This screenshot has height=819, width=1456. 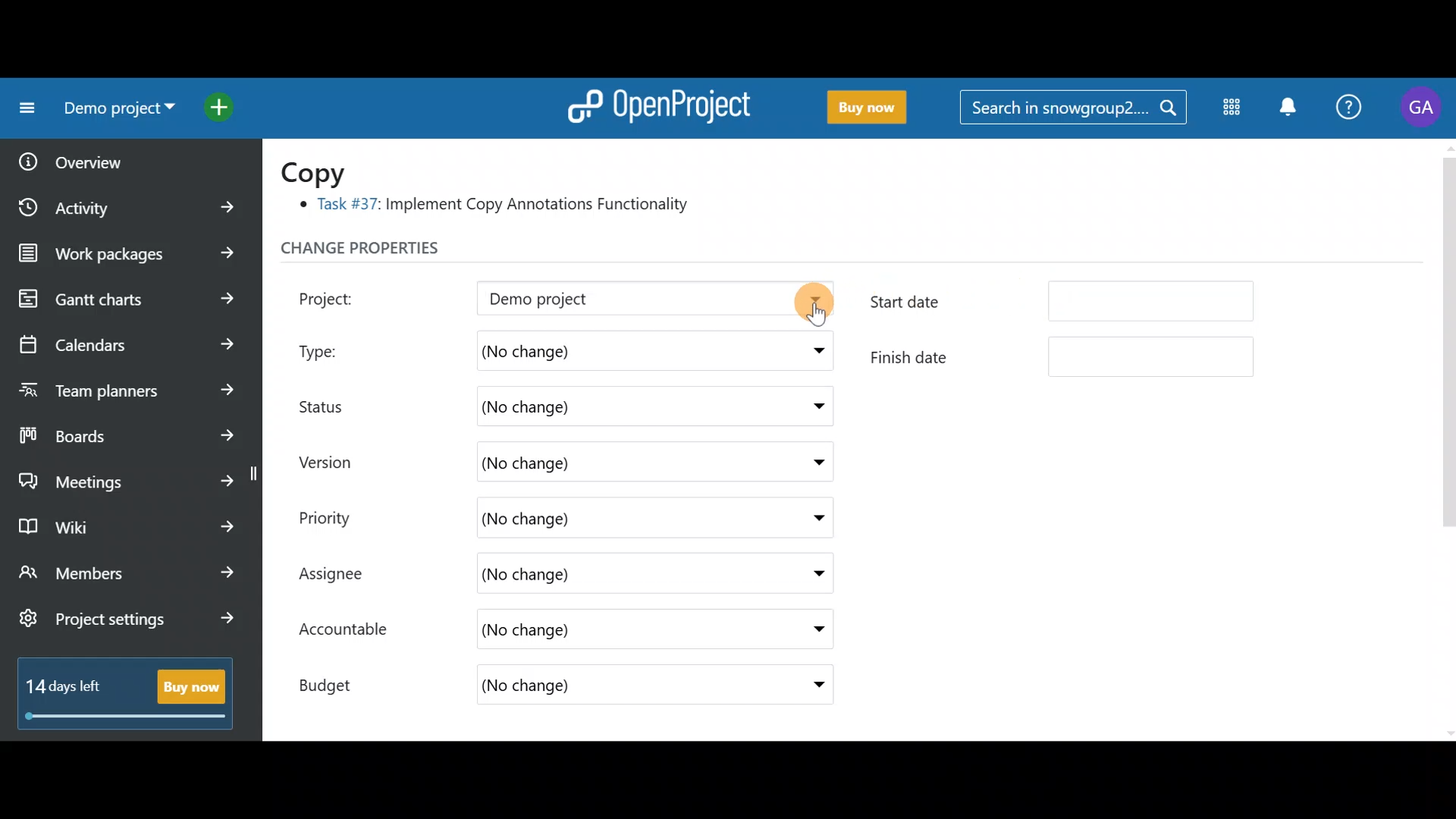 I want to click on Work packages, so click(x=130, y=253).